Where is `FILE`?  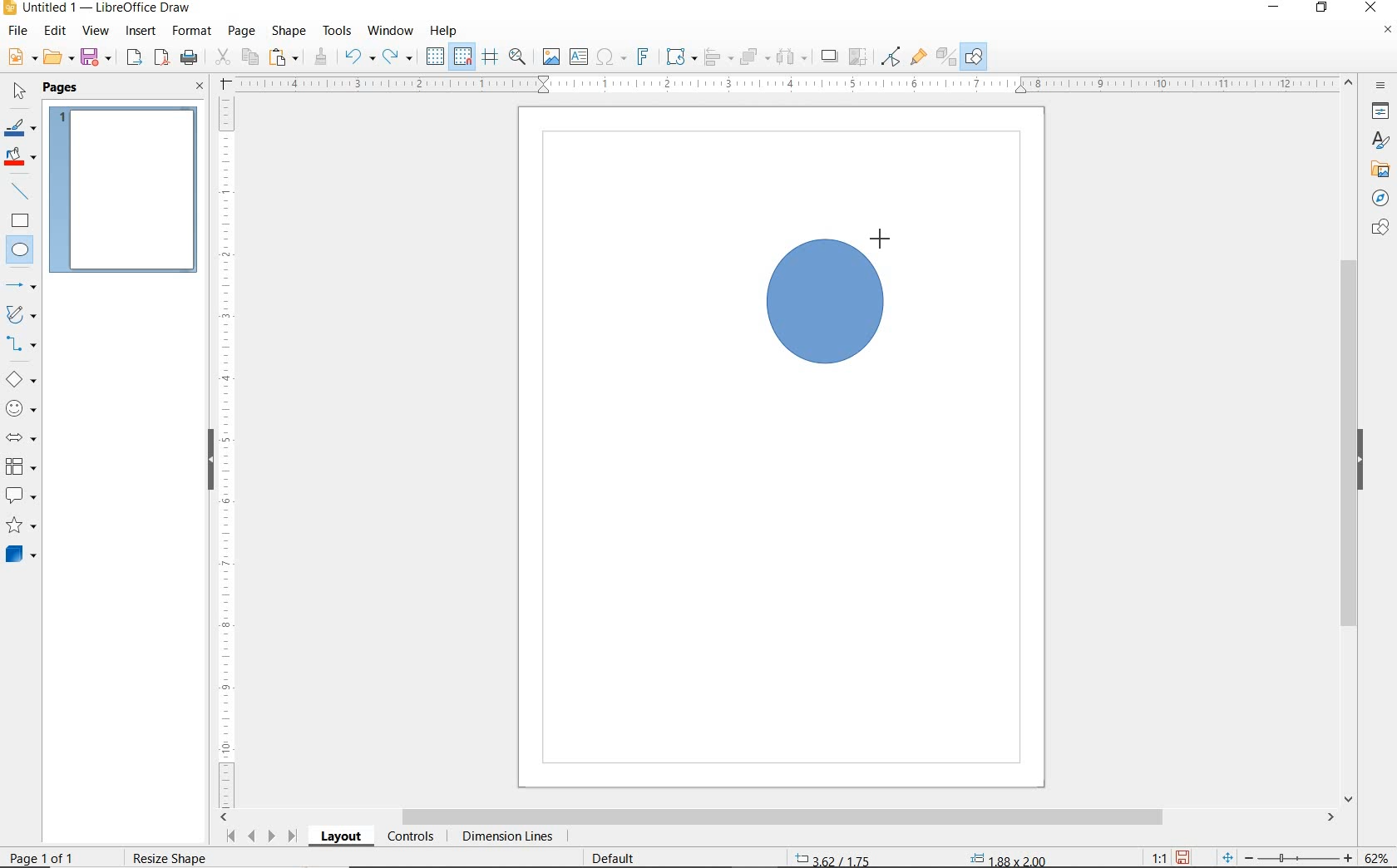 FILE is located at coordinates (19, 33).